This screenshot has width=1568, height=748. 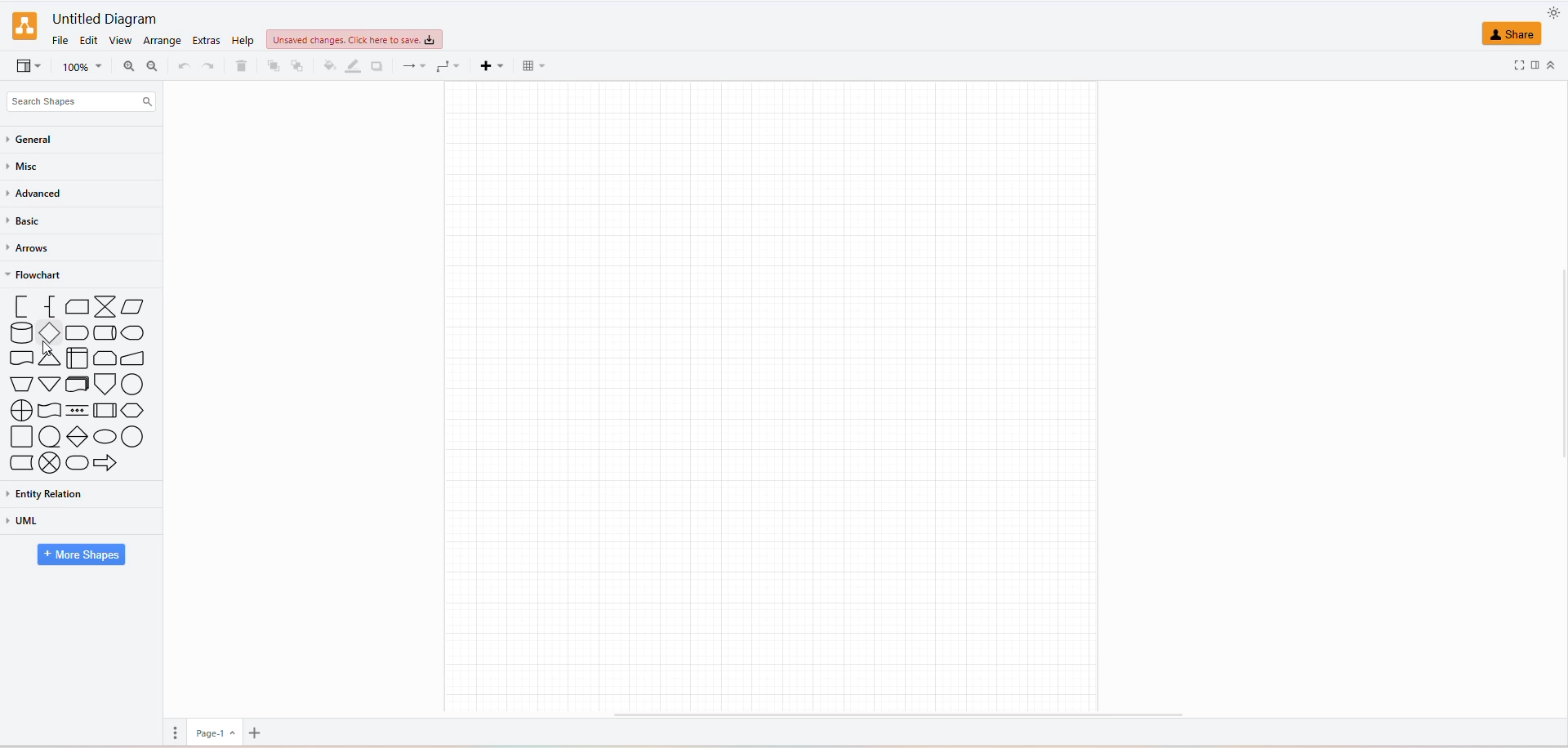 What do you see at coordinates (55, 521) in the screenshot?
I see `UML` at bounding box center [55, 521].